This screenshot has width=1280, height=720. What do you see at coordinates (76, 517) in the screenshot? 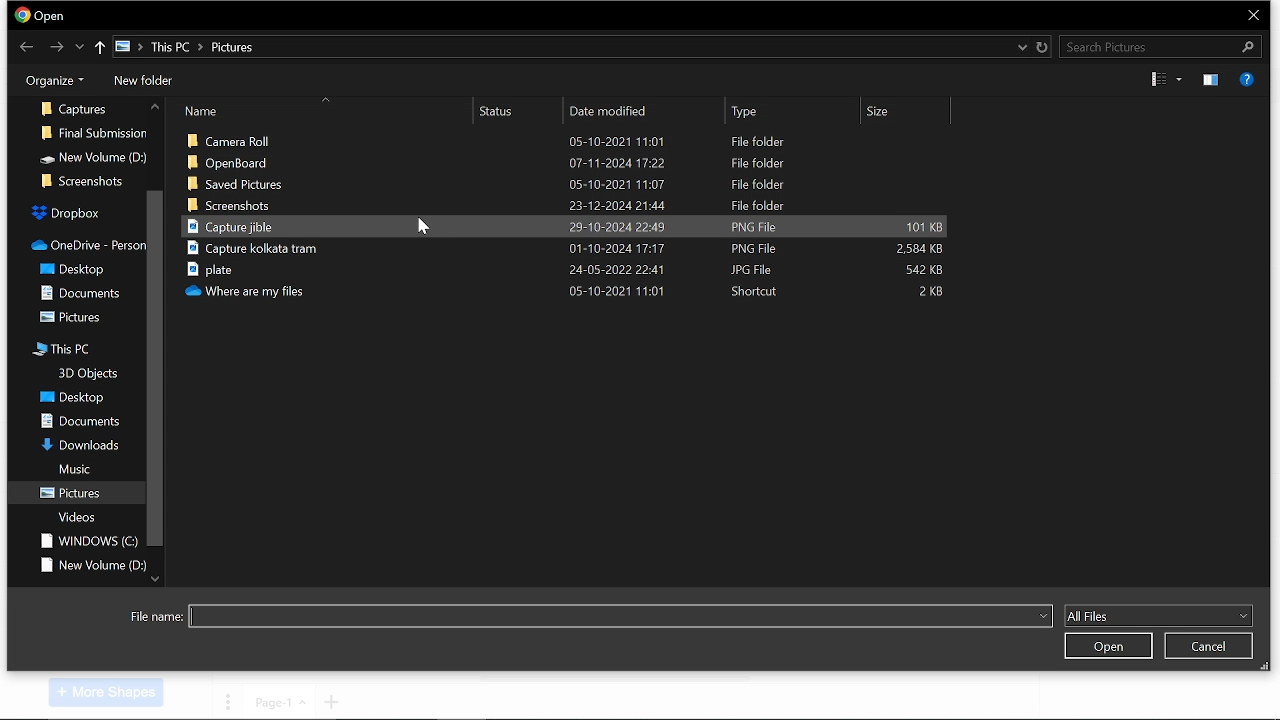
I see `folders` at bounding box center [76, 517].